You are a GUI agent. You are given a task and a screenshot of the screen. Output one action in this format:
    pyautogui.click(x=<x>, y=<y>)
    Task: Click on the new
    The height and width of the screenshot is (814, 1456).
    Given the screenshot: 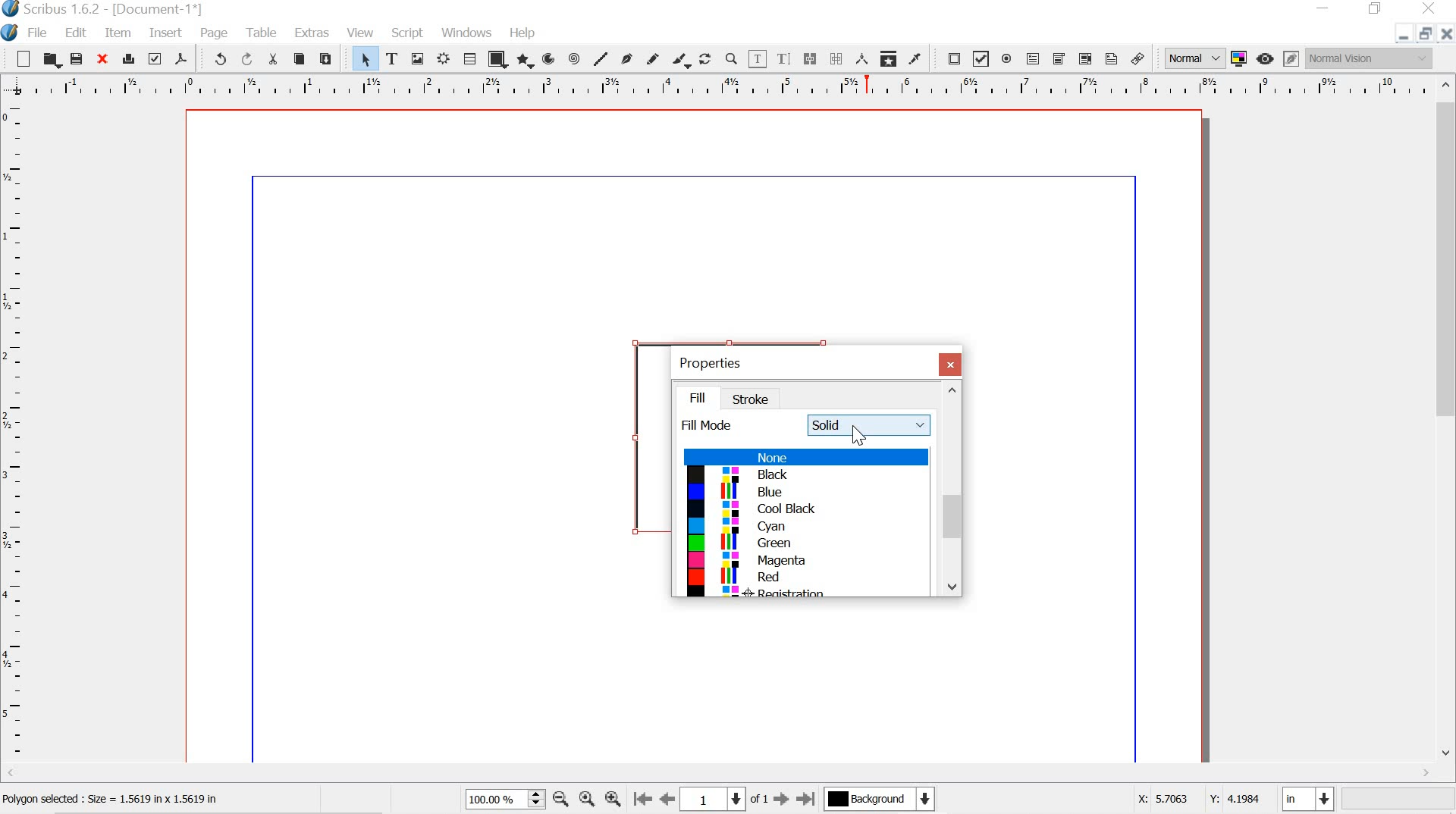 What is the action you would take?
    pyautogui.click(x=18, y=58)
    